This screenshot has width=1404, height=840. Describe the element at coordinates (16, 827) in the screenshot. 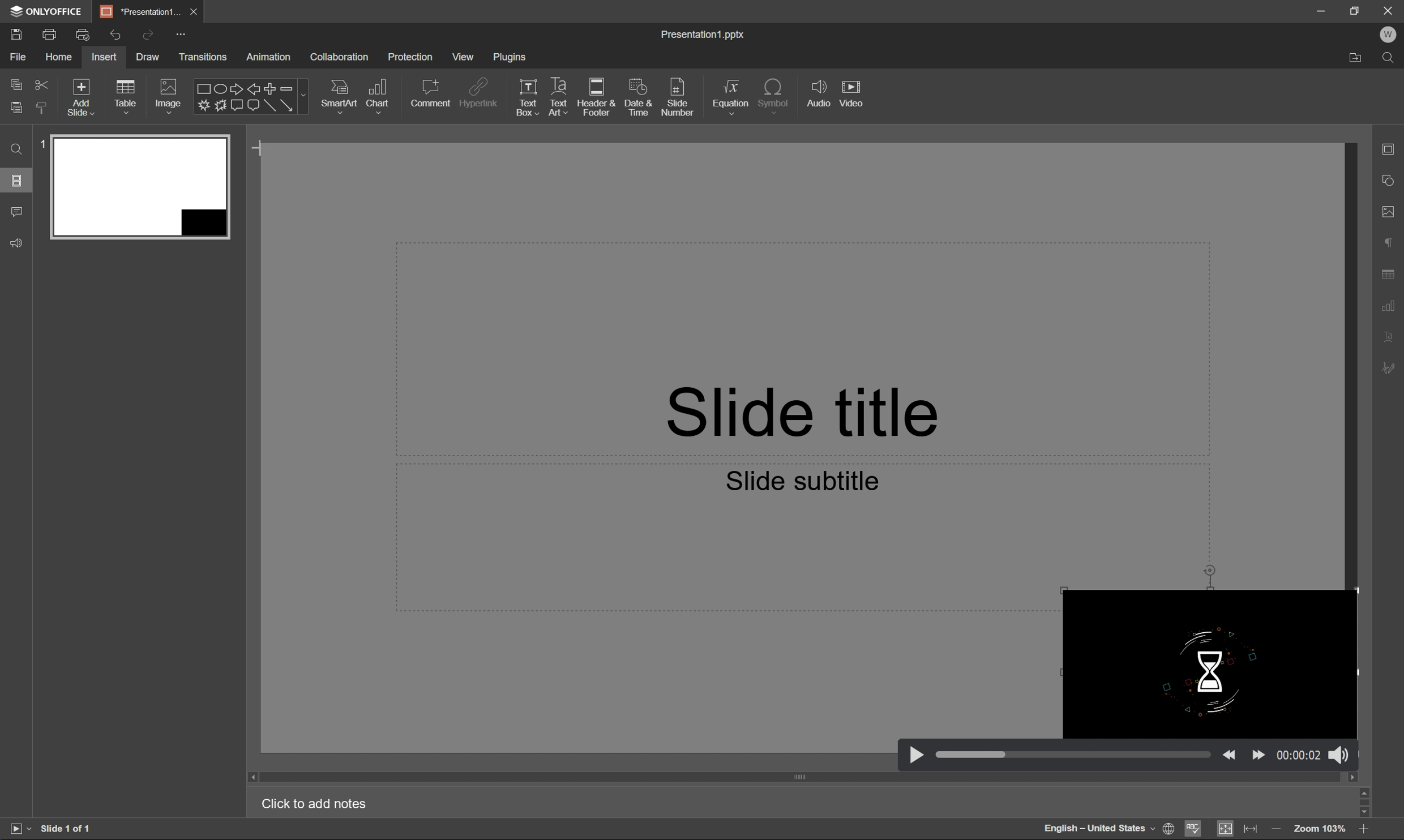

I see `start slideshow` at that location.